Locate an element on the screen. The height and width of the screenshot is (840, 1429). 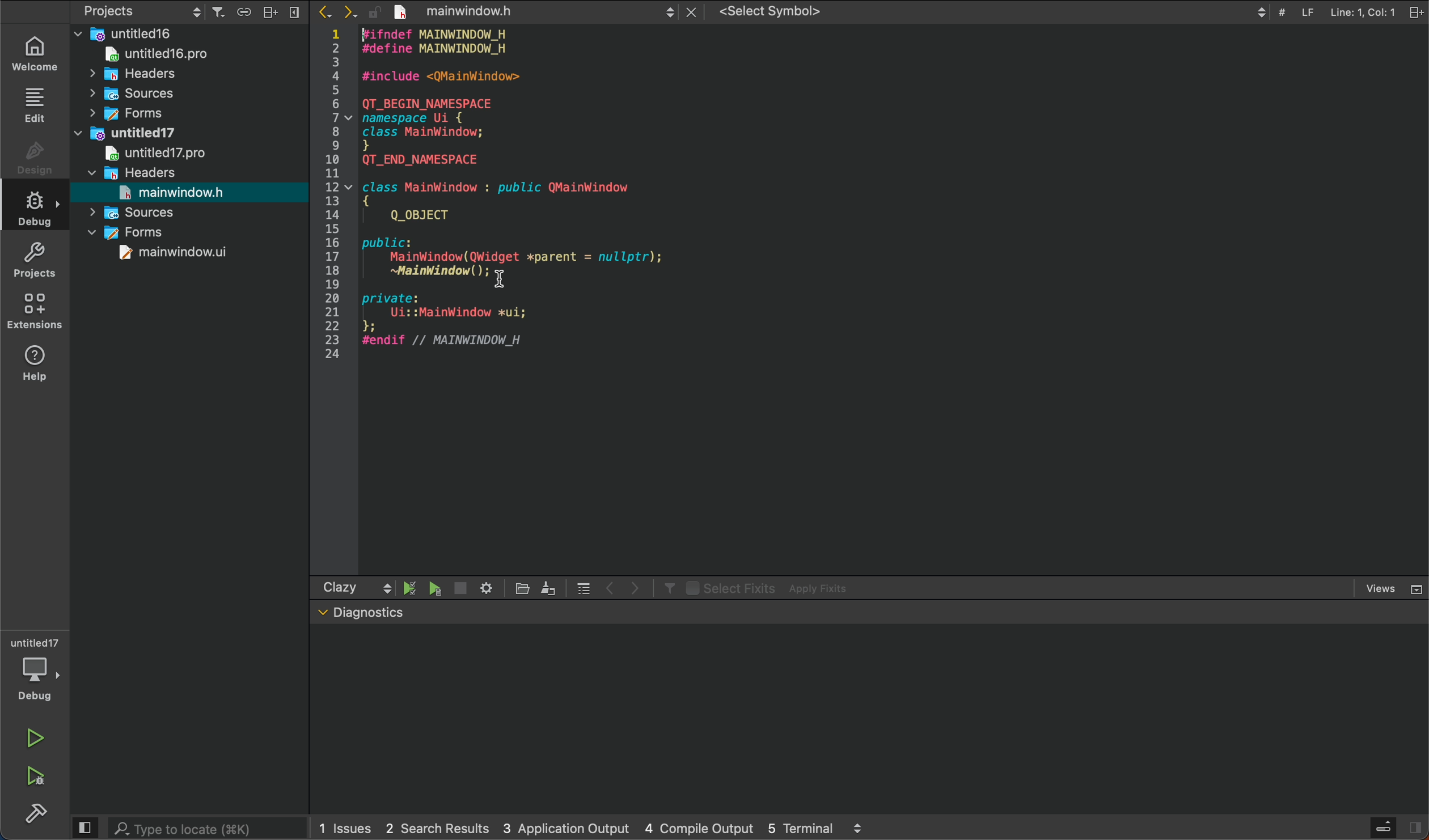
Menu is located at coordinates (293, 12).